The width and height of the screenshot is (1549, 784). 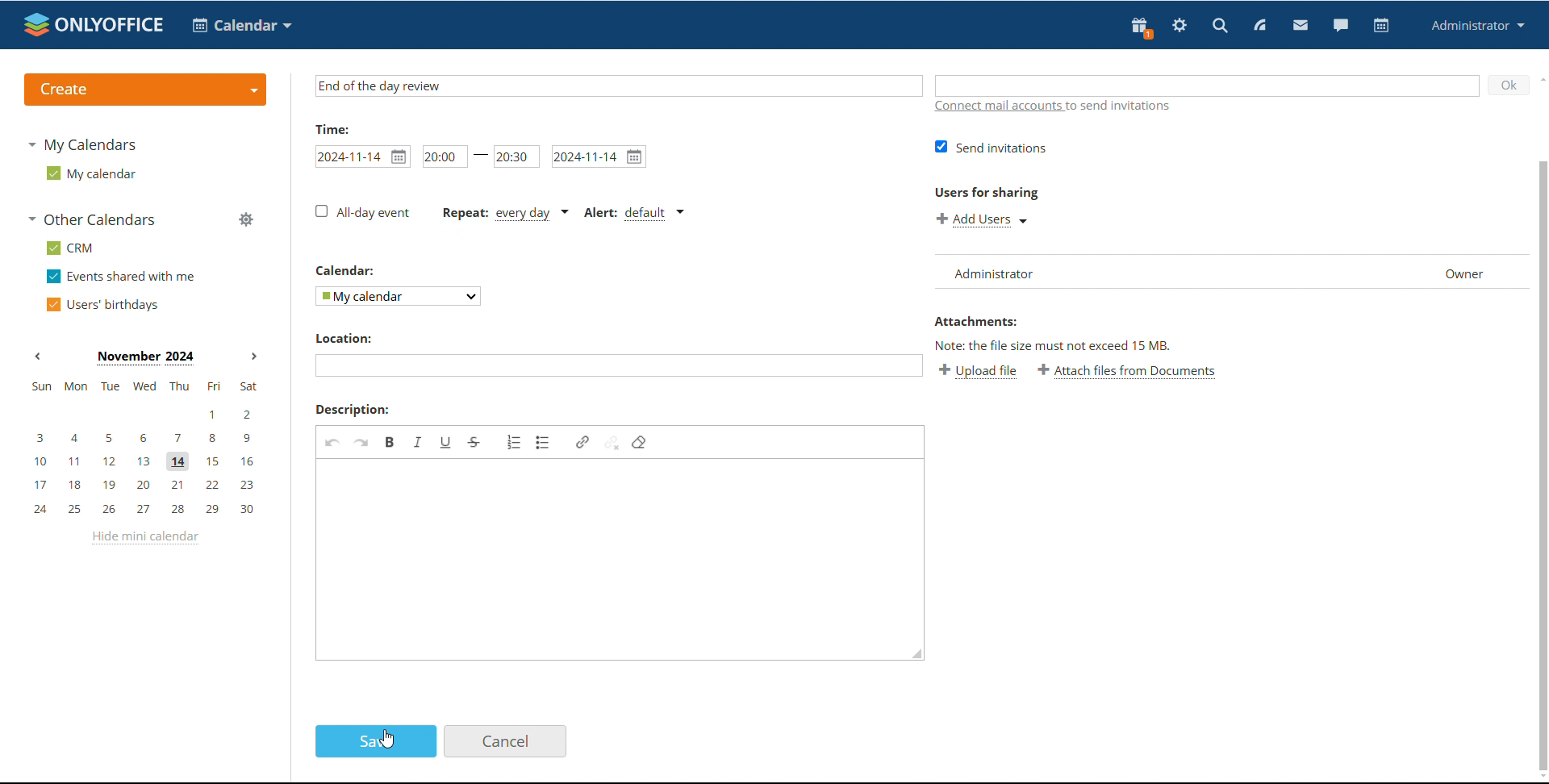 I want to click on Add users, so click(x=982, y=219).